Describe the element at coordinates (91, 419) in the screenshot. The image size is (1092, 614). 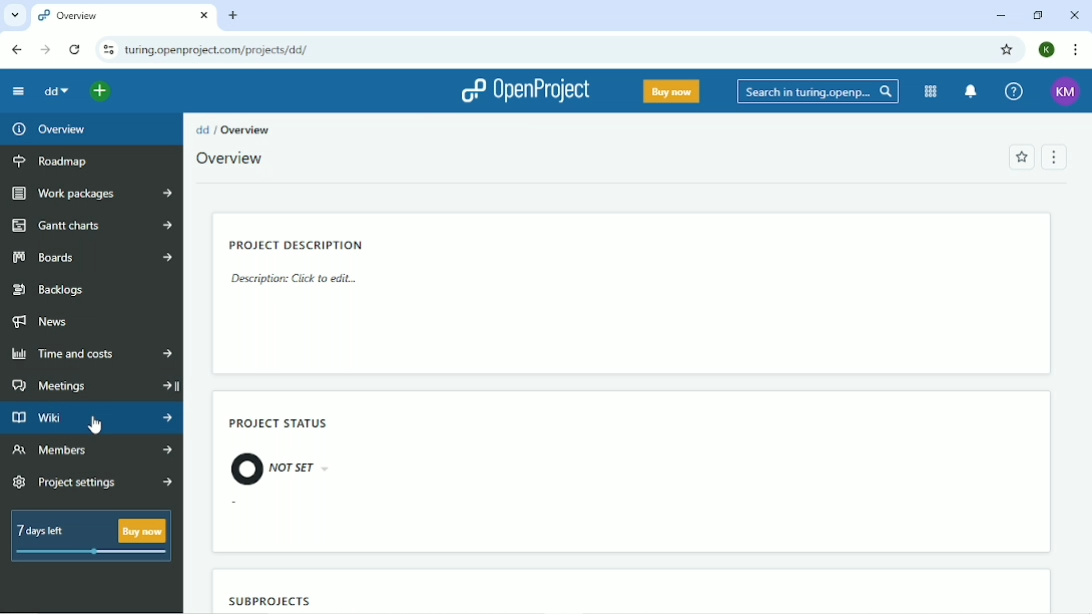
I see `Wiki` at that location.